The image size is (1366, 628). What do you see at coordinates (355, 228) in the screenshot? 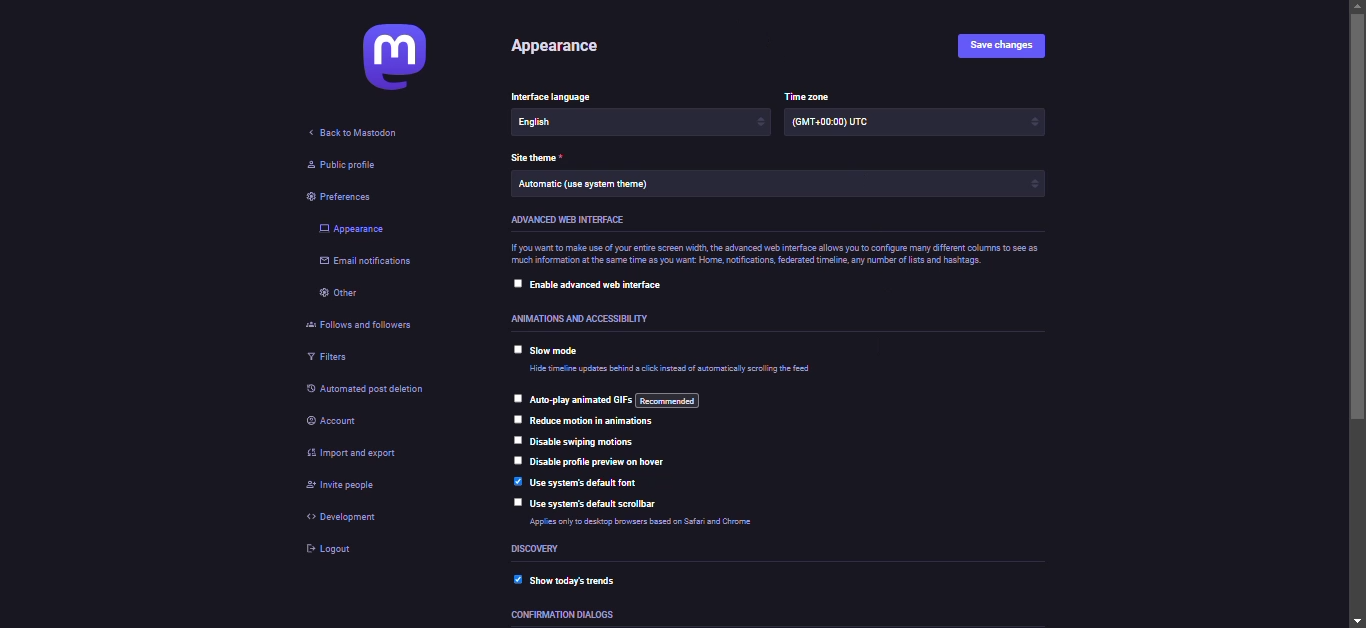
I see `appearance` at bounding box center [355, 228].